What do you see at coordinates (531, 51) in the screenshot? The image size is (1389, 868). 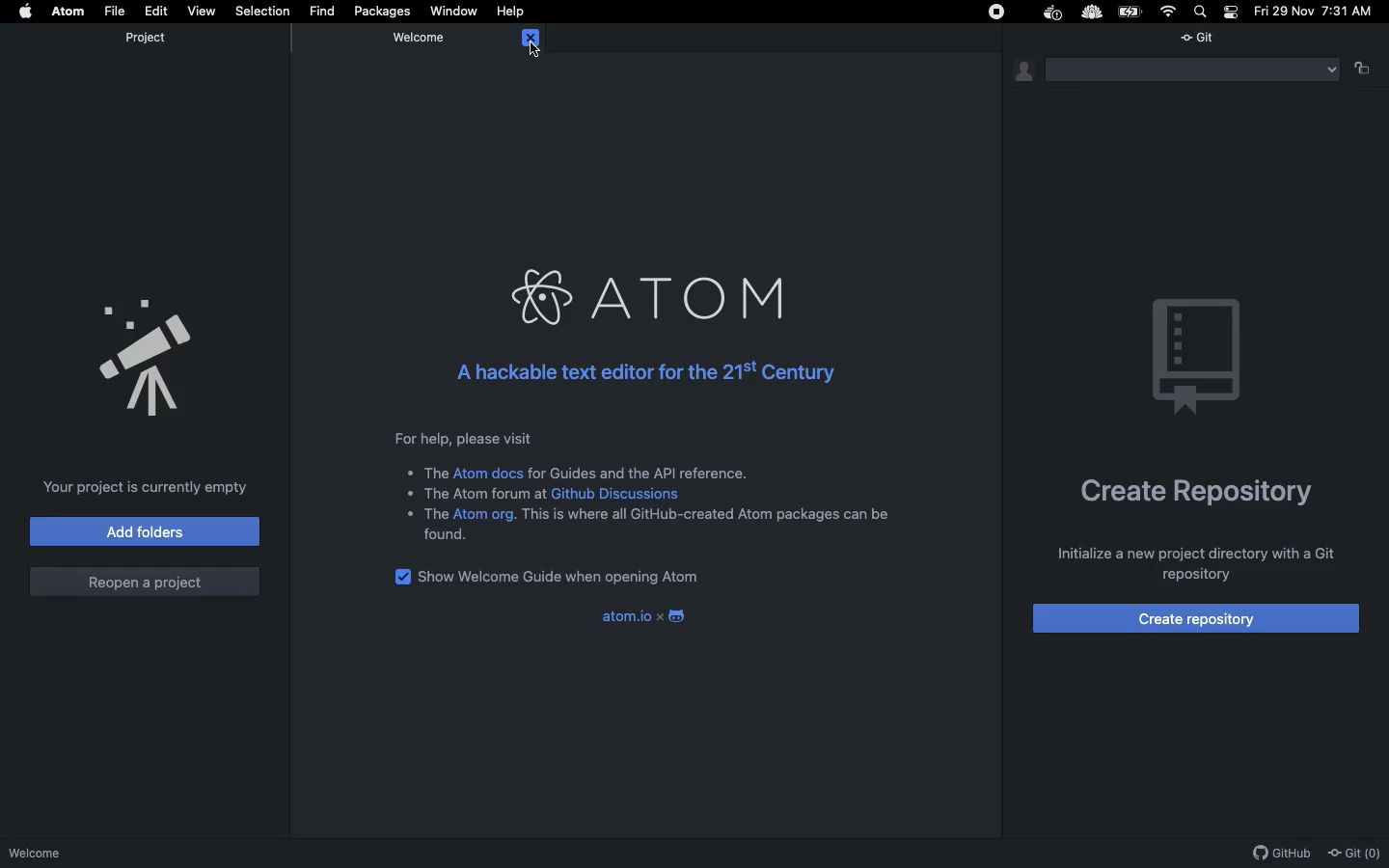 I see `cursor` at bounding box center [531, 51].